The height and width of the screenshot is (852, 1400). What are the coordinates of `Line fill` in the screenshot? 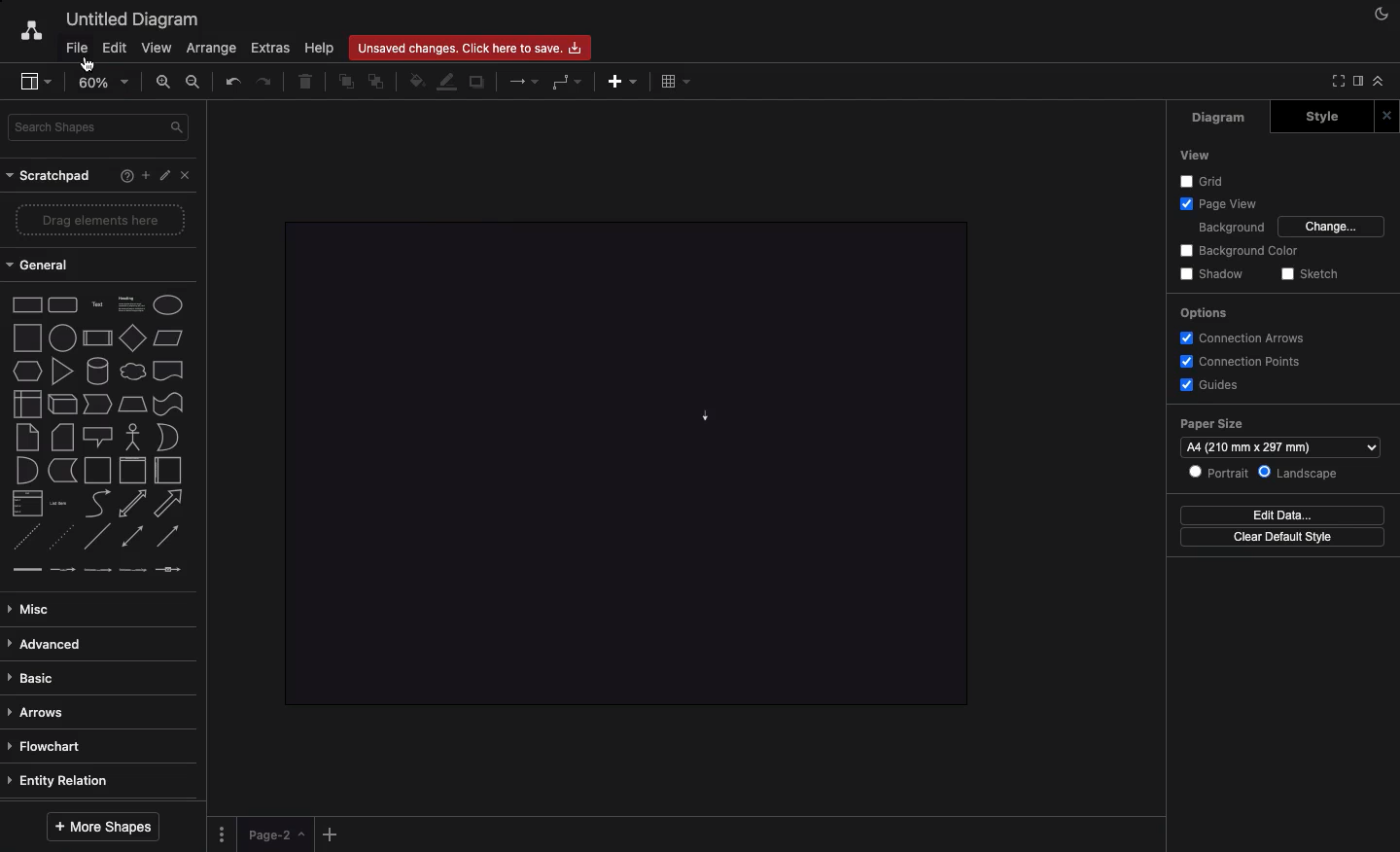 It's located at (448, 83).